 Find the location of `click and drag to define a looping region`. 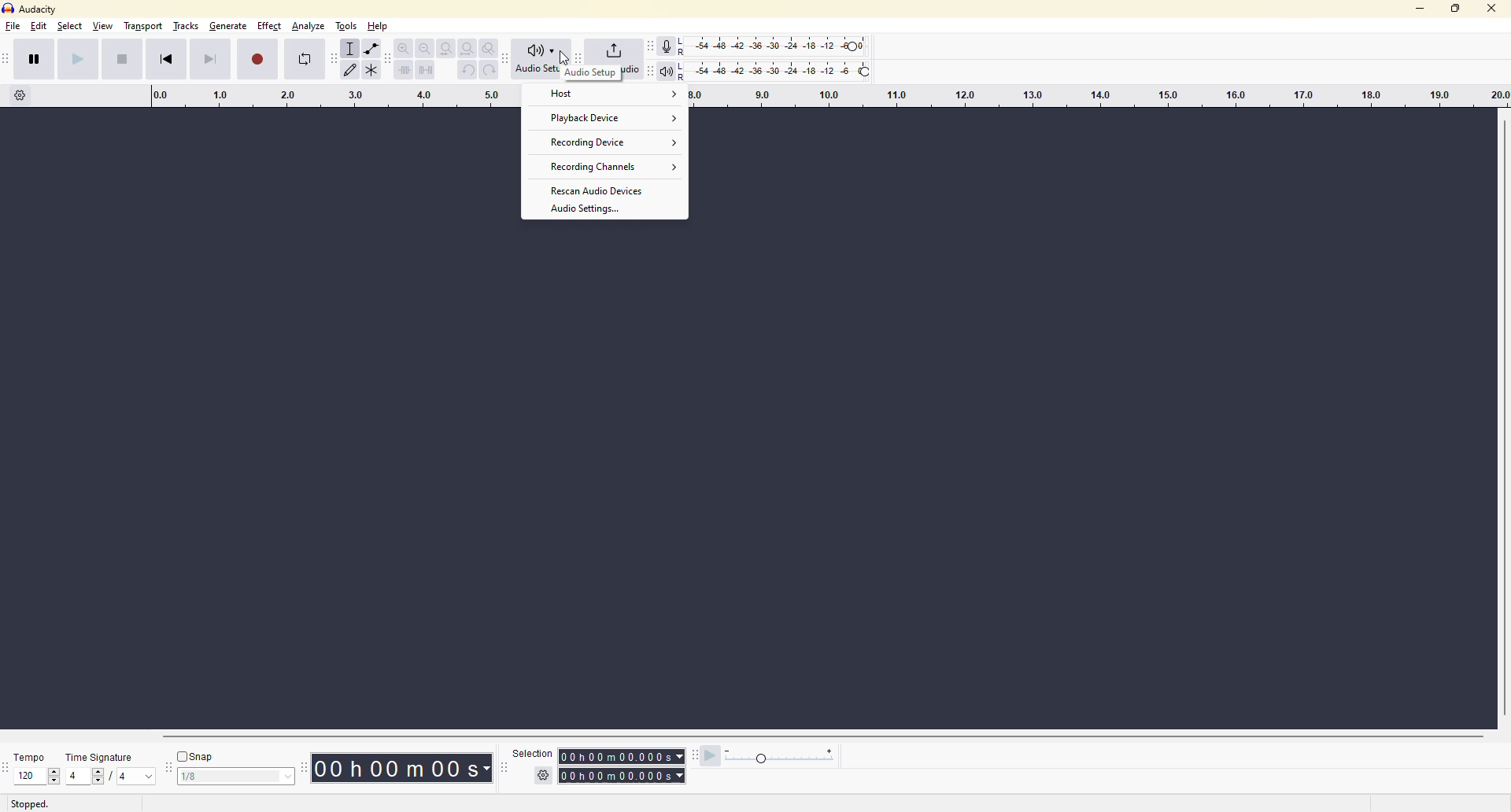

click and drag to define a looping region is located at coordinates (328, 96).